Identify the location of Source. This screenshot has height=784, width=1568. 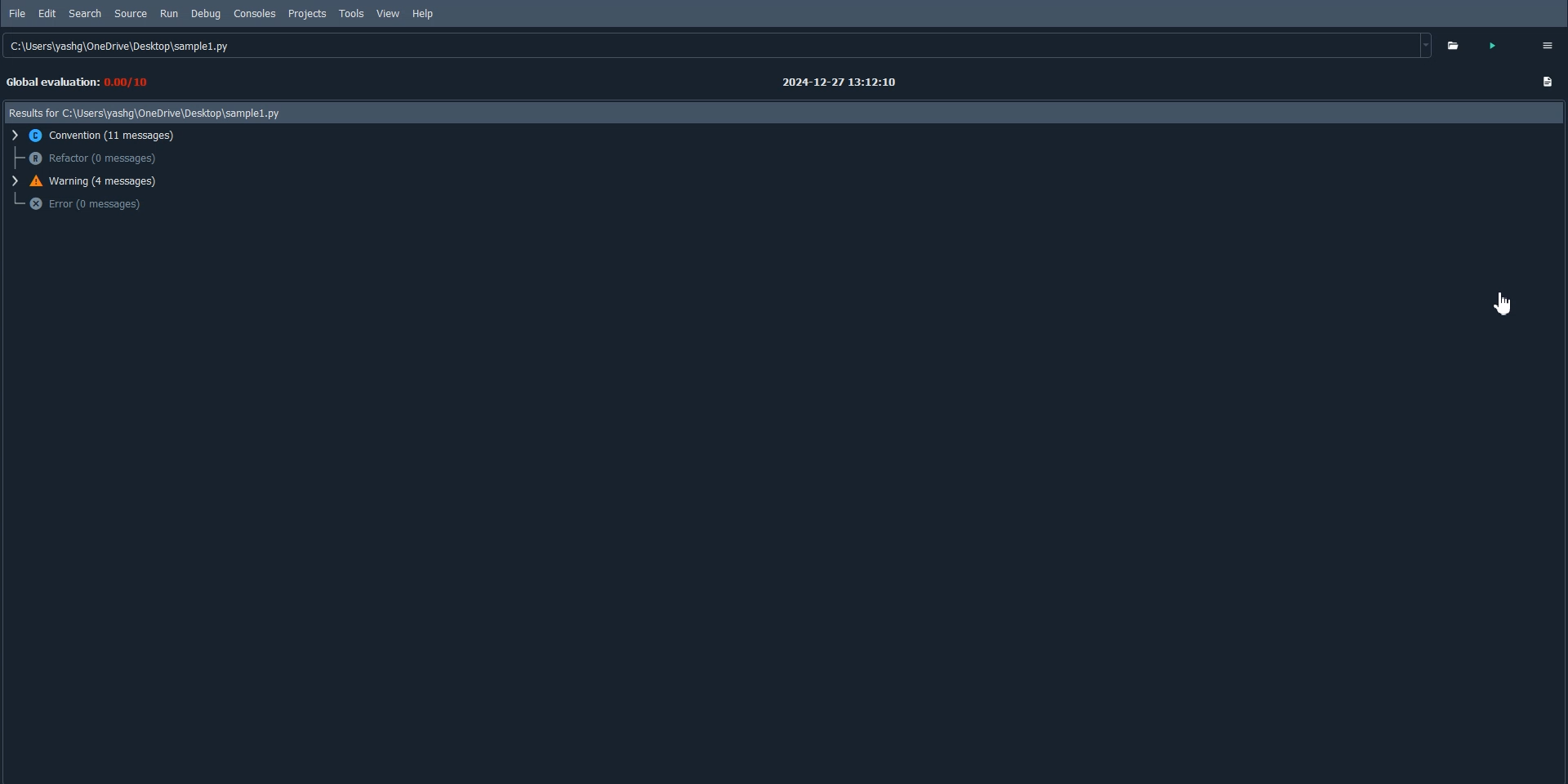
(131, 14).